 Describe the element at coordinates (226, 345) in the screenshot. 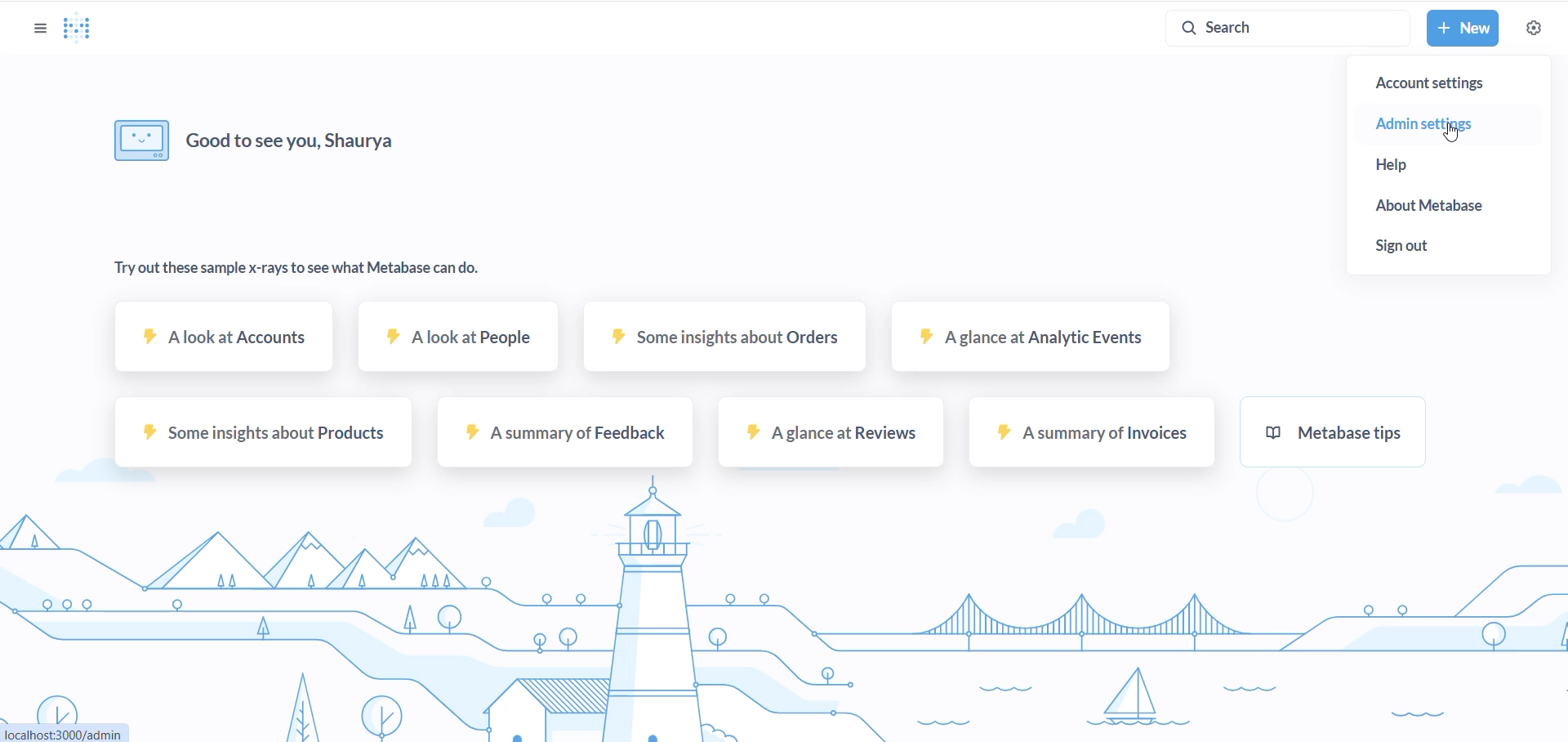

I see `A look at accounts` at that location.